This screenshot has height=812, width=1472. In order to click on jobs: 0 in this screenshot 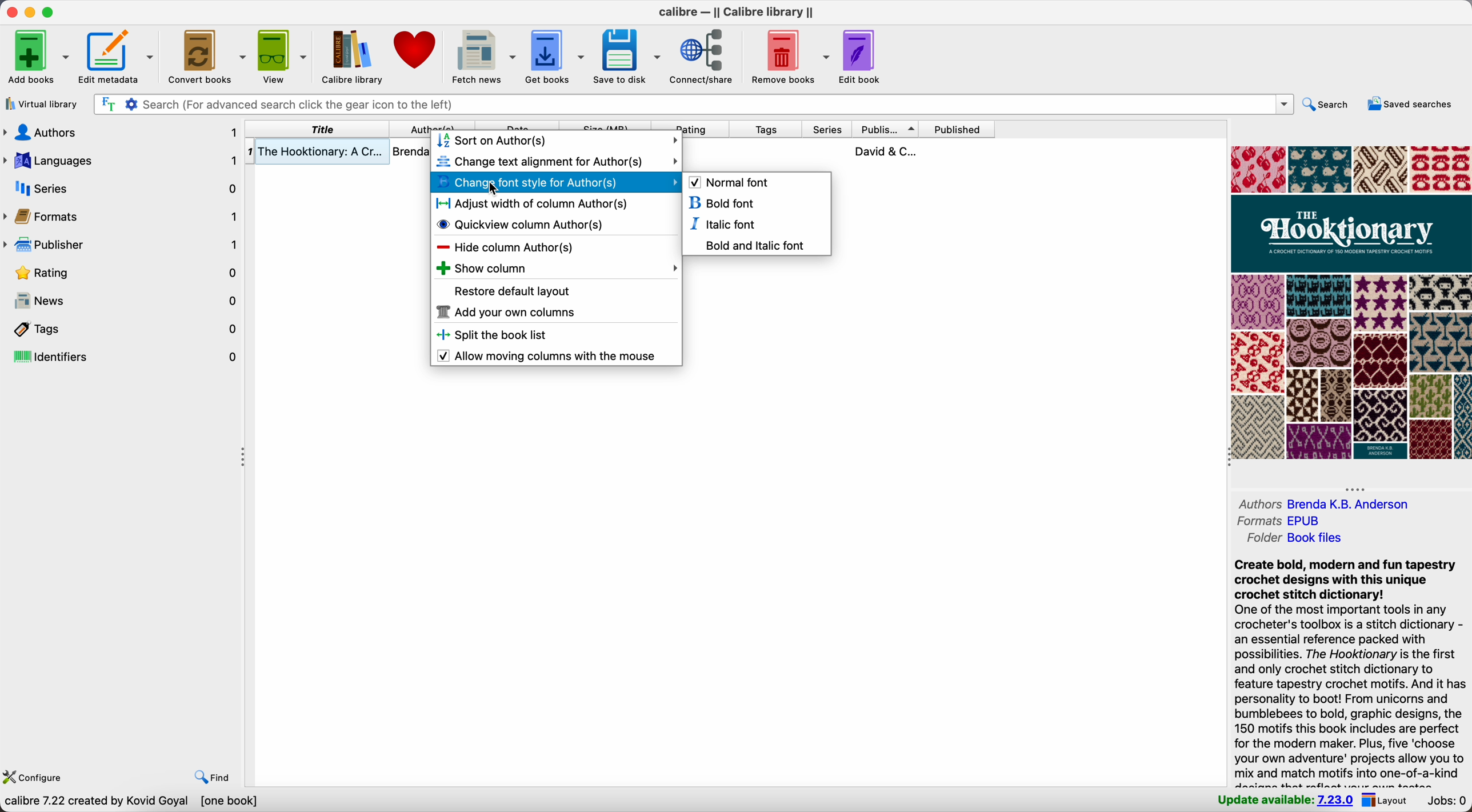, I will do `click(1447, 801)`.